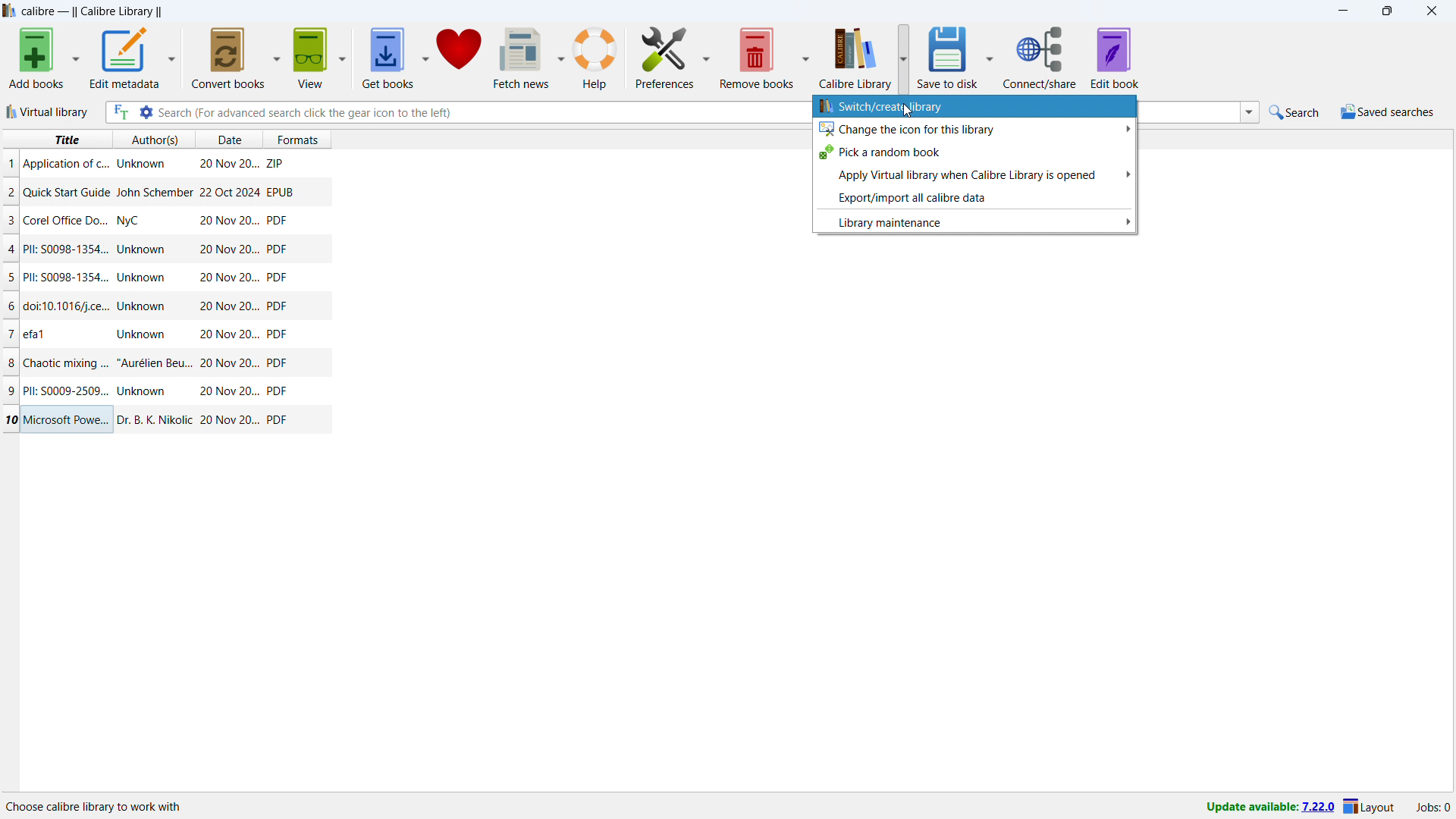  What do you see at coordinates (595, 58) in the screenshot?
I see `help` at bounding box center [595, 58].